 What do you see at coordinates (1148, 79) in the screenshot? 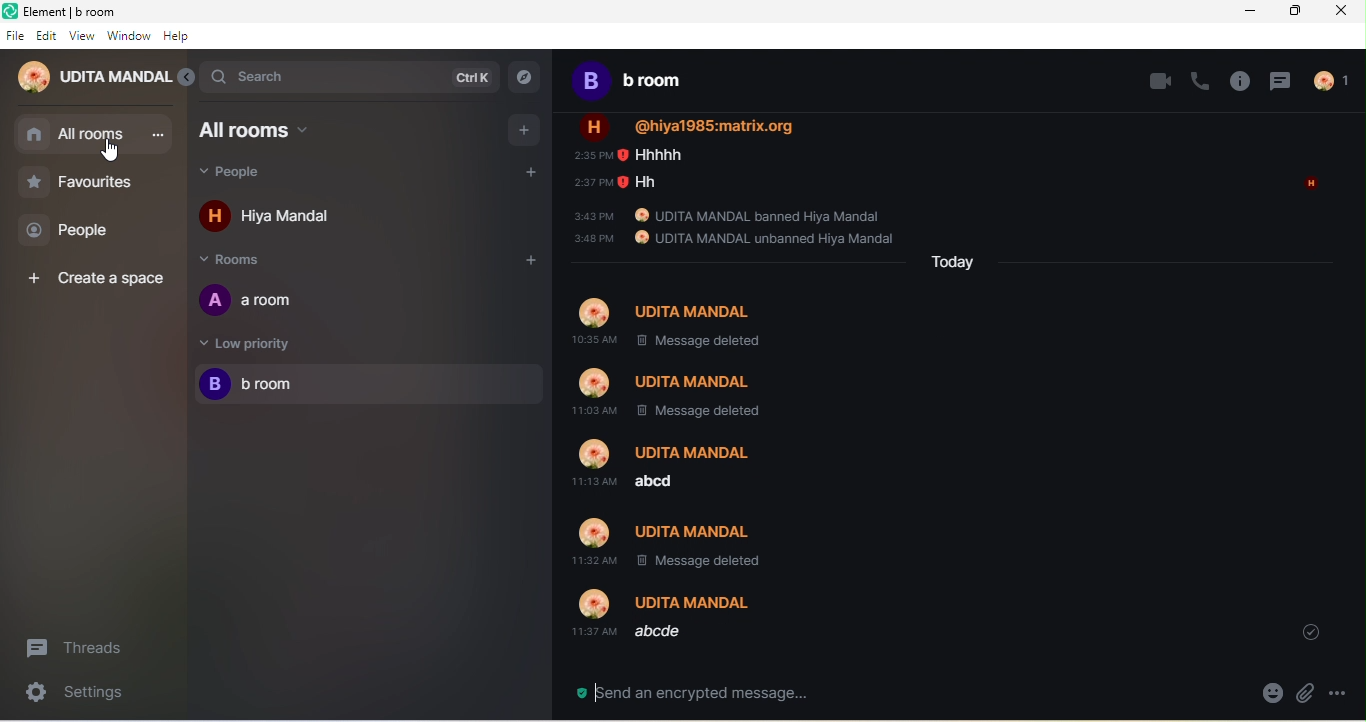
I see `video call` at bounding box center [1148, 79].